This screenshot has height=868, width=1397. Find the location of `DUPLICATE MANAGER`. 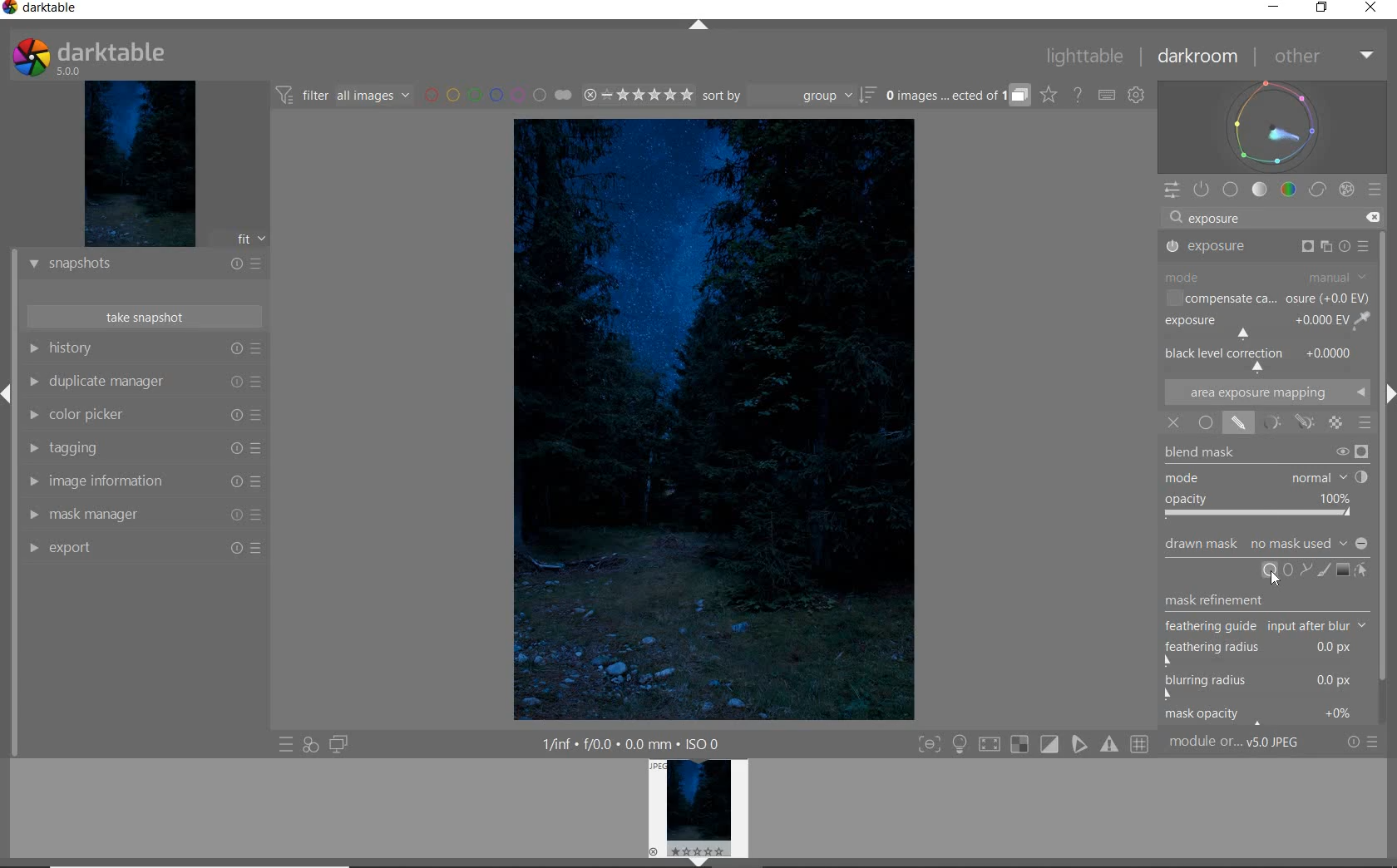

DUPLICATE MANAGER is located at coordinates (143, 382).